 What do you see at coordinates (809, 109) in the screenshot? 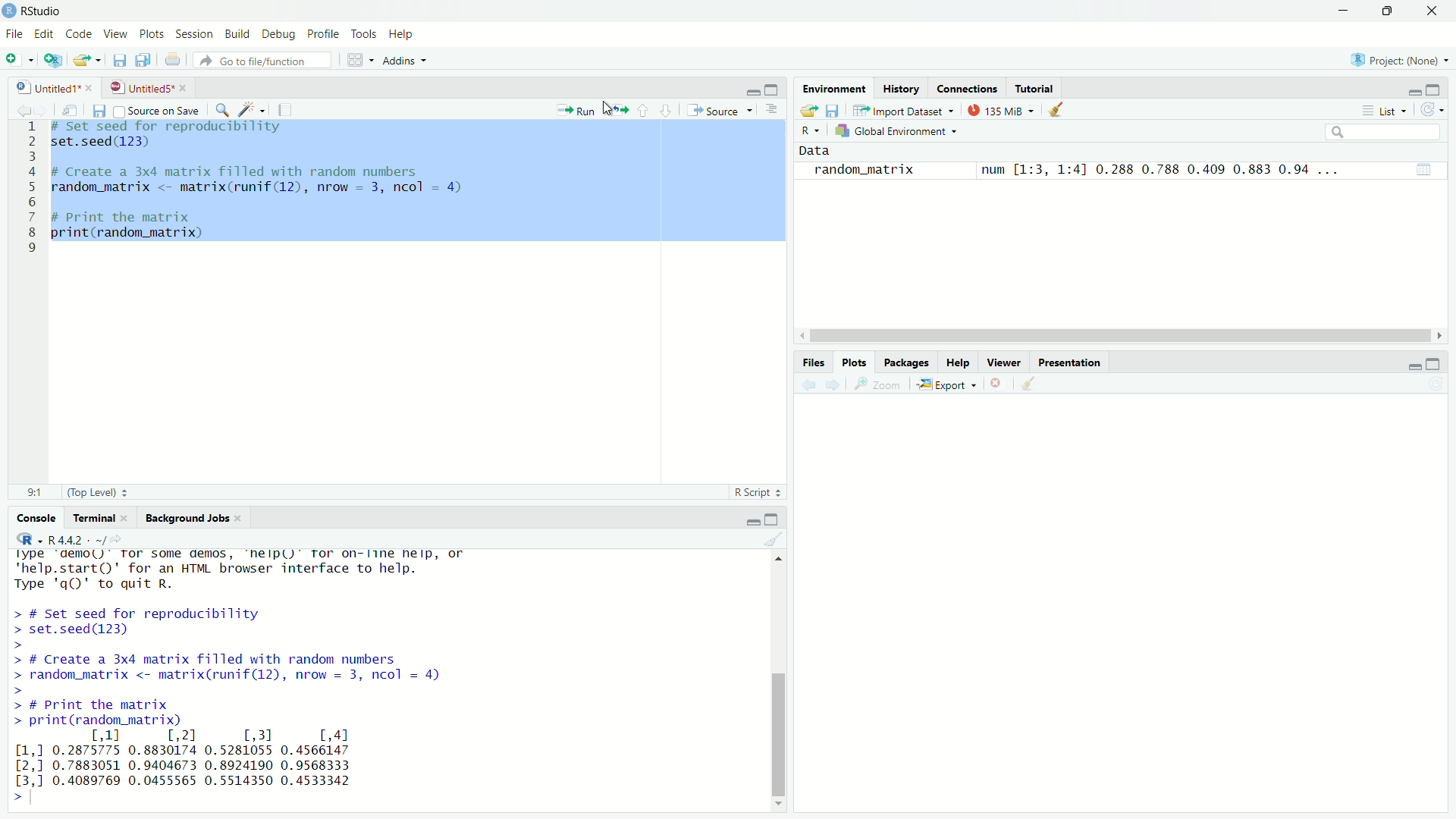
I see `export` at bounding box center [809, 109].